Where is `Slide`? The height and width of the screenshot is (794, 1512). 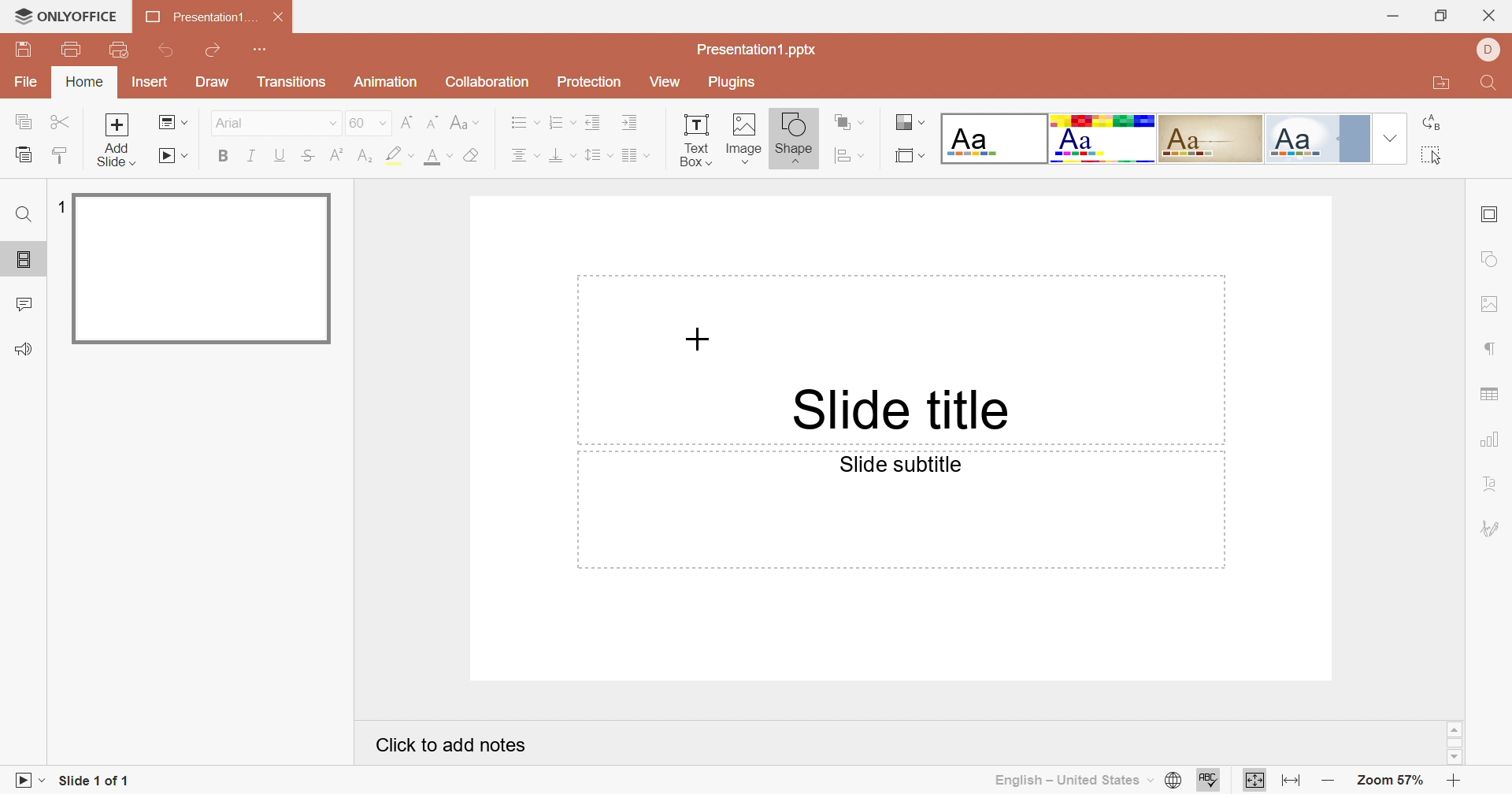 Slide is located at coordinates (203, 269).